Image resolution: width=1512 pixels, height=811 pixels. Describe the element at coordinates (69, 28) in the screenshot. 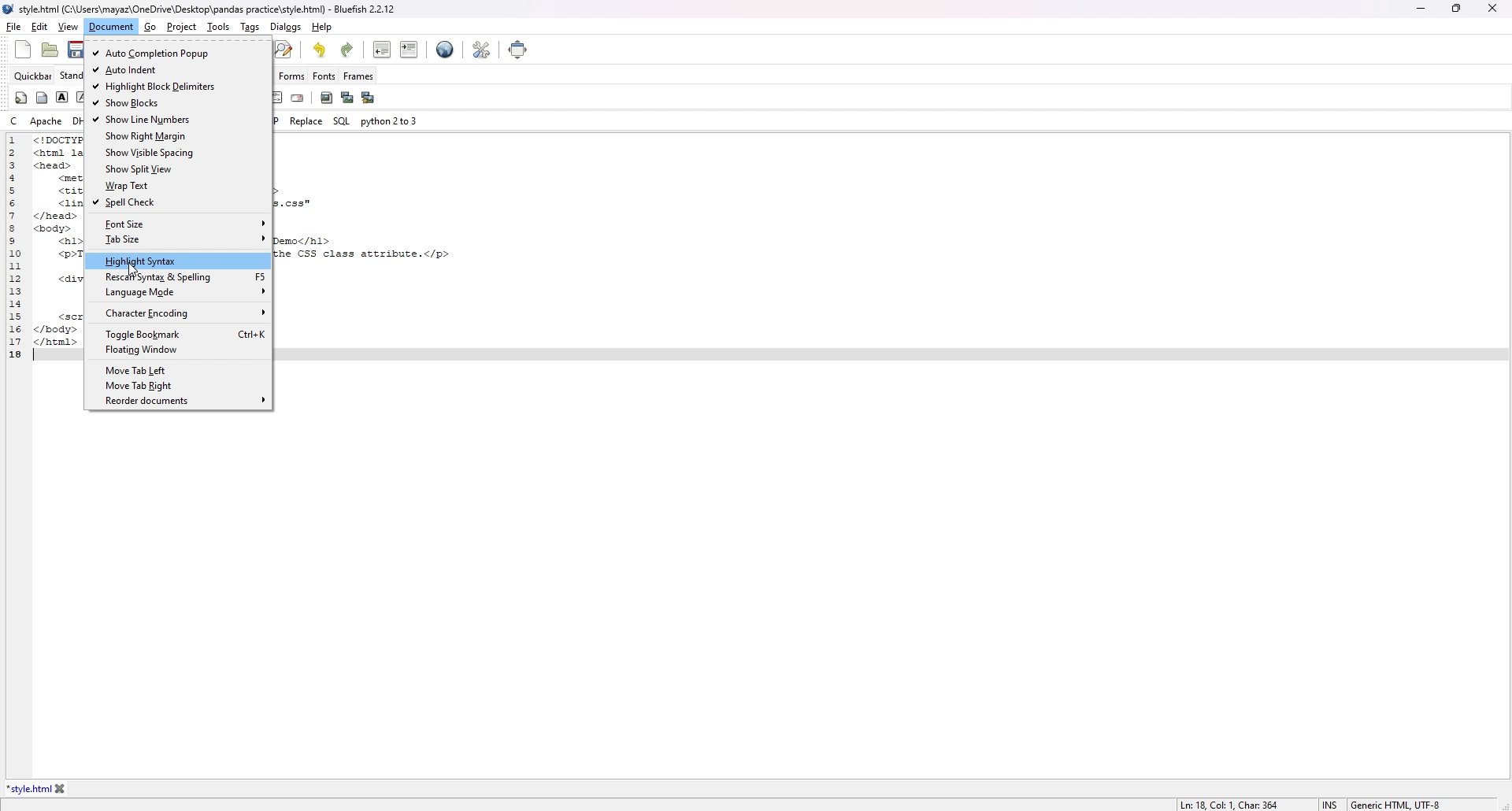

I see `view` at that location.